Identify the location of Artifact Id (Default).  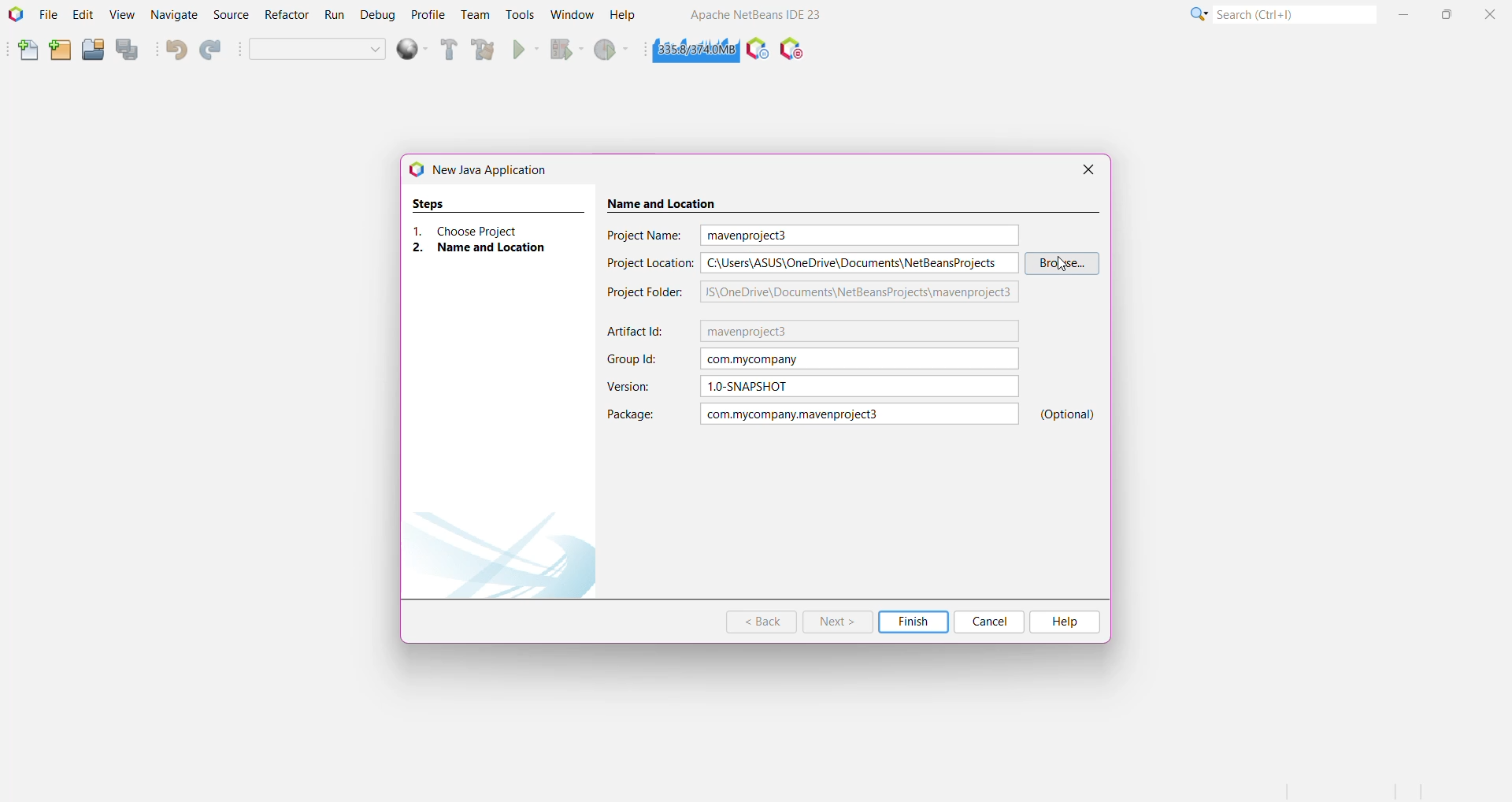
(860, 332).